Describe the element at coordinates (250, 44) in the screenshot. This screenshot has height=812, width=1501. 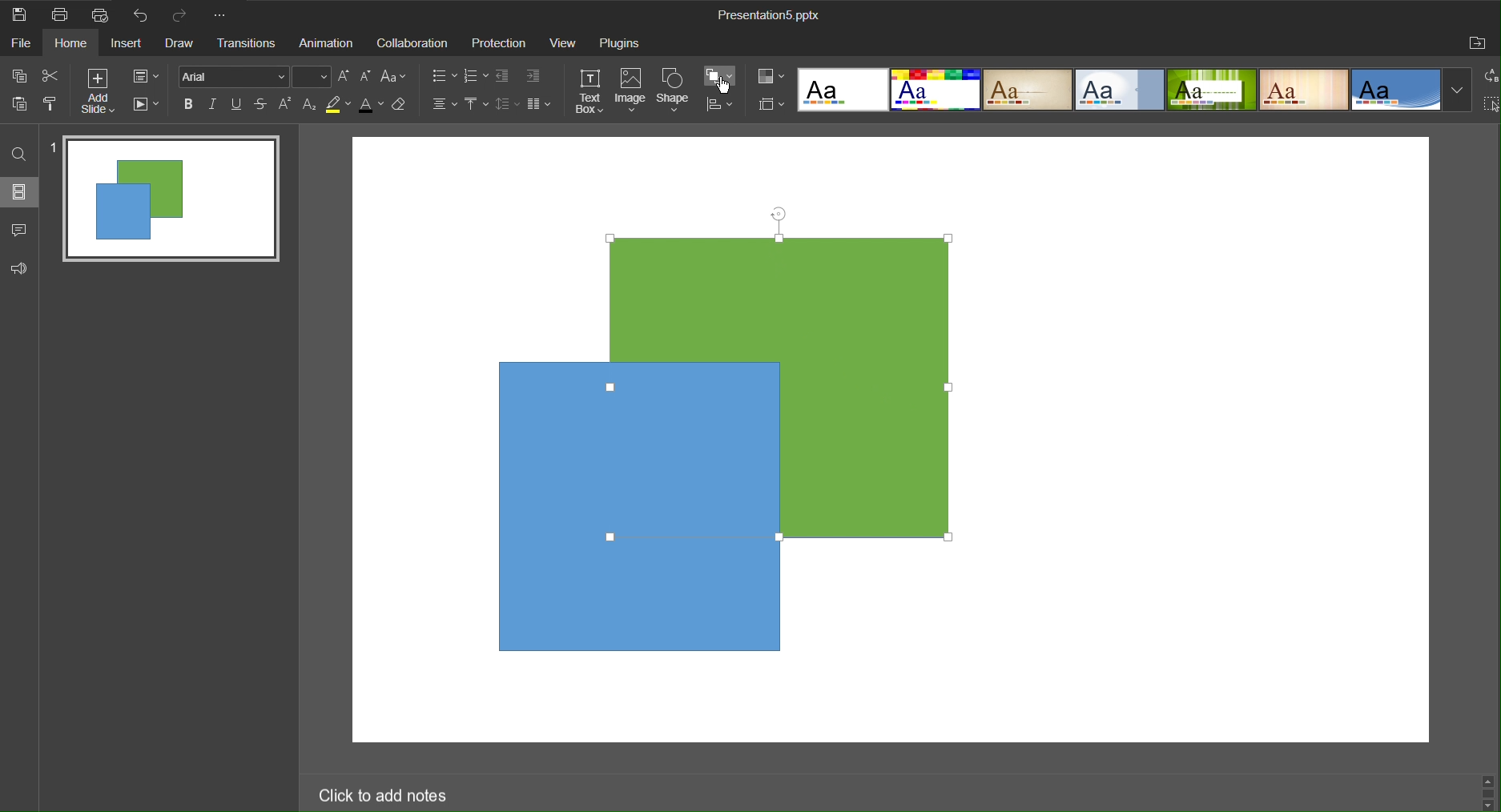
I see `Transitions` at that location.